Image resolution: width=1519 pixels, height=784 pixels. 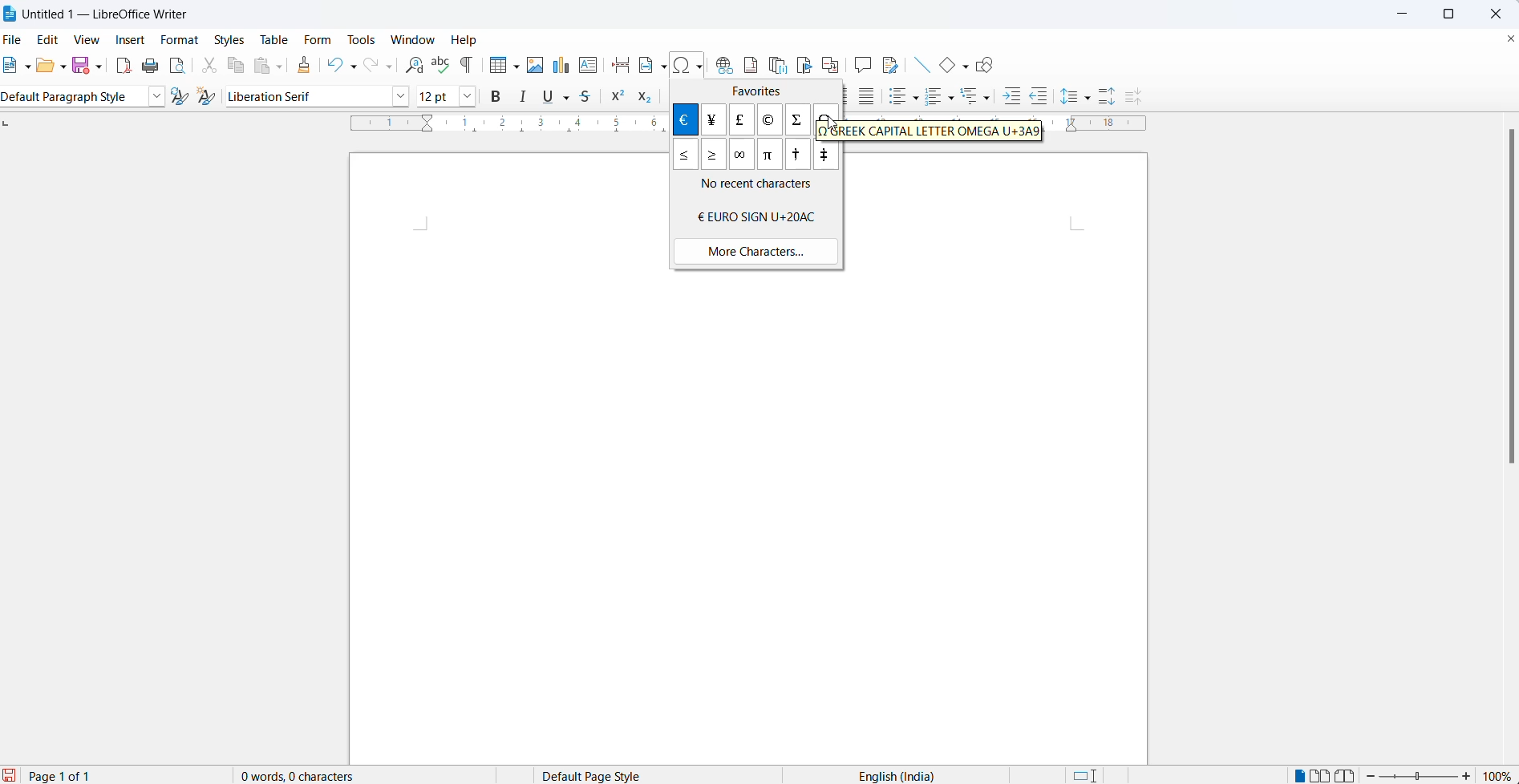 I want to click on insert chart, so click(x=559, y=66).